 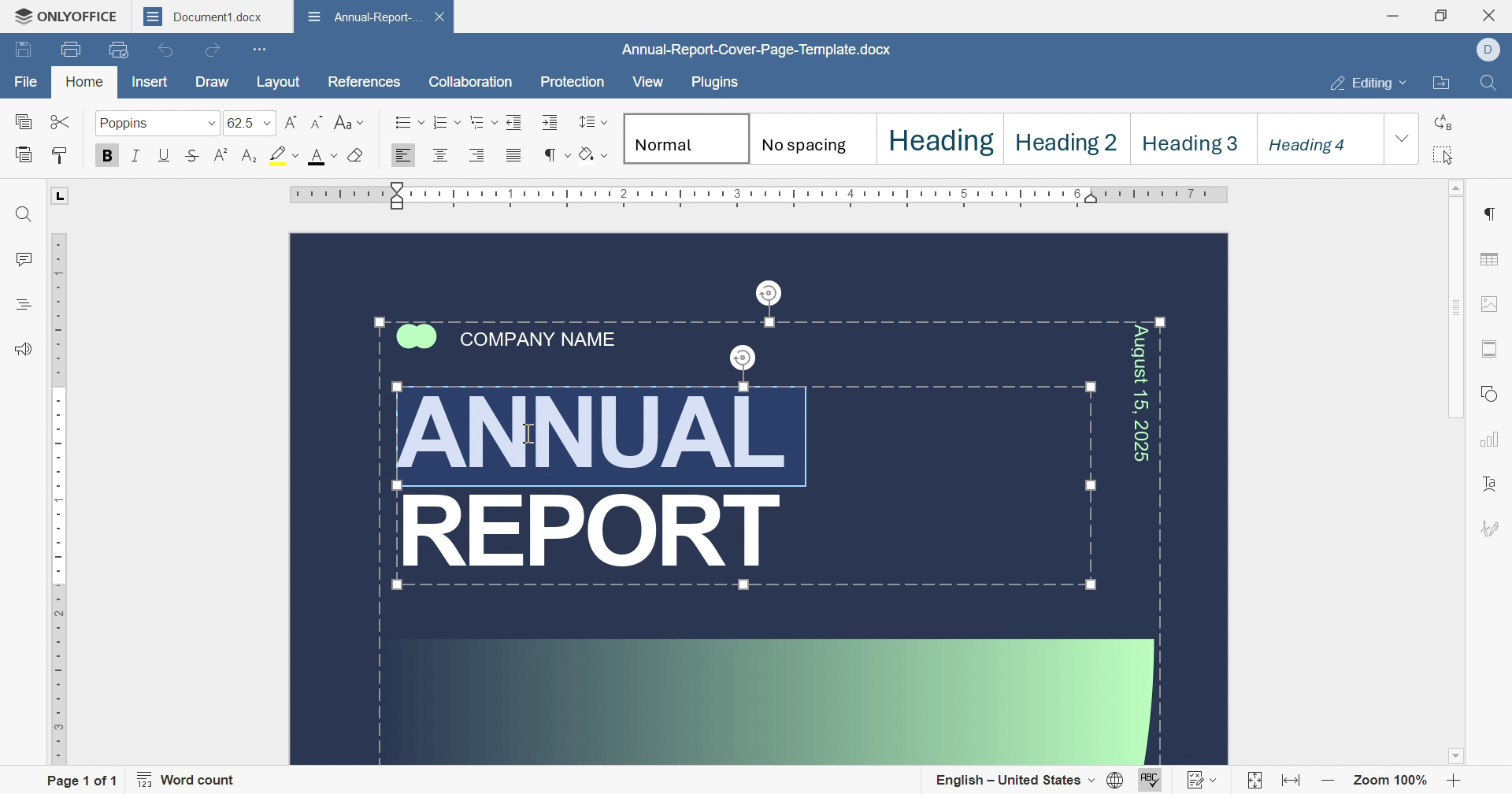 I want to click on redo, so click(x=213, y=49).